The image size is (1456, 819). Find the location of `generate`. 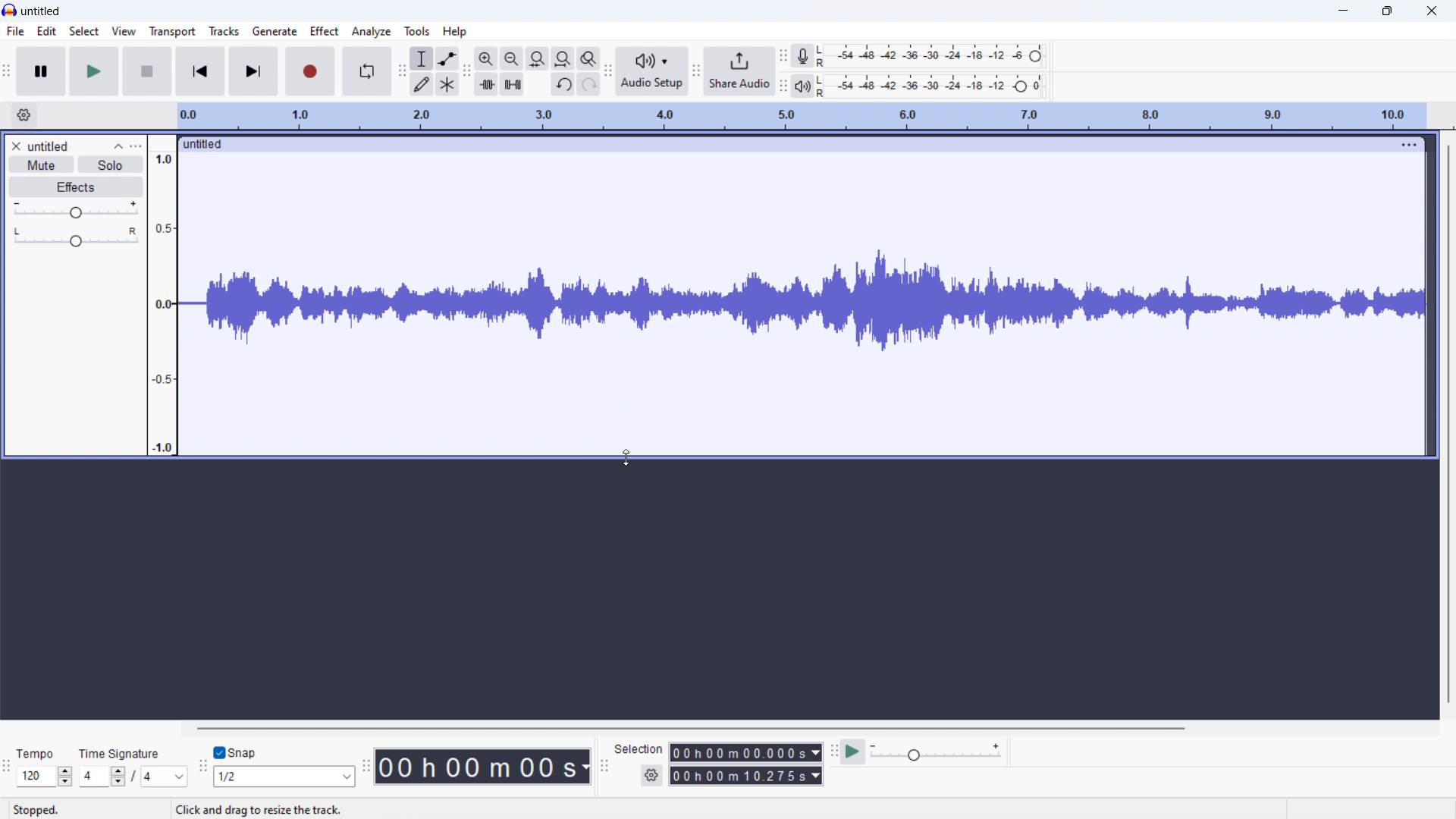

generate is located at coordinates (274, 31).